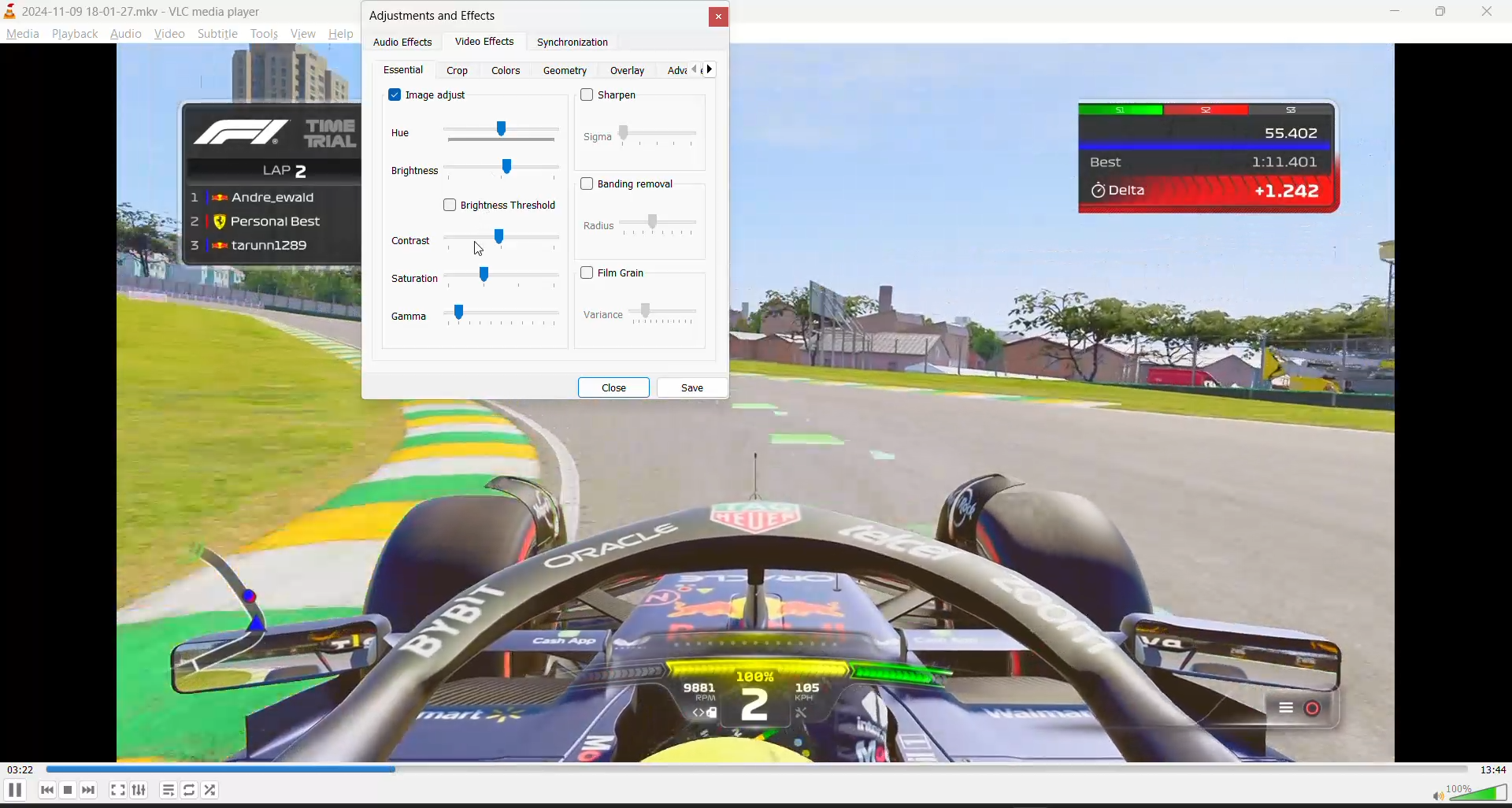 The width and height of the screenshot is (1512, 808). Describe the element at coordinates (690, 71) in the screenshot. I see `previous` at that location.